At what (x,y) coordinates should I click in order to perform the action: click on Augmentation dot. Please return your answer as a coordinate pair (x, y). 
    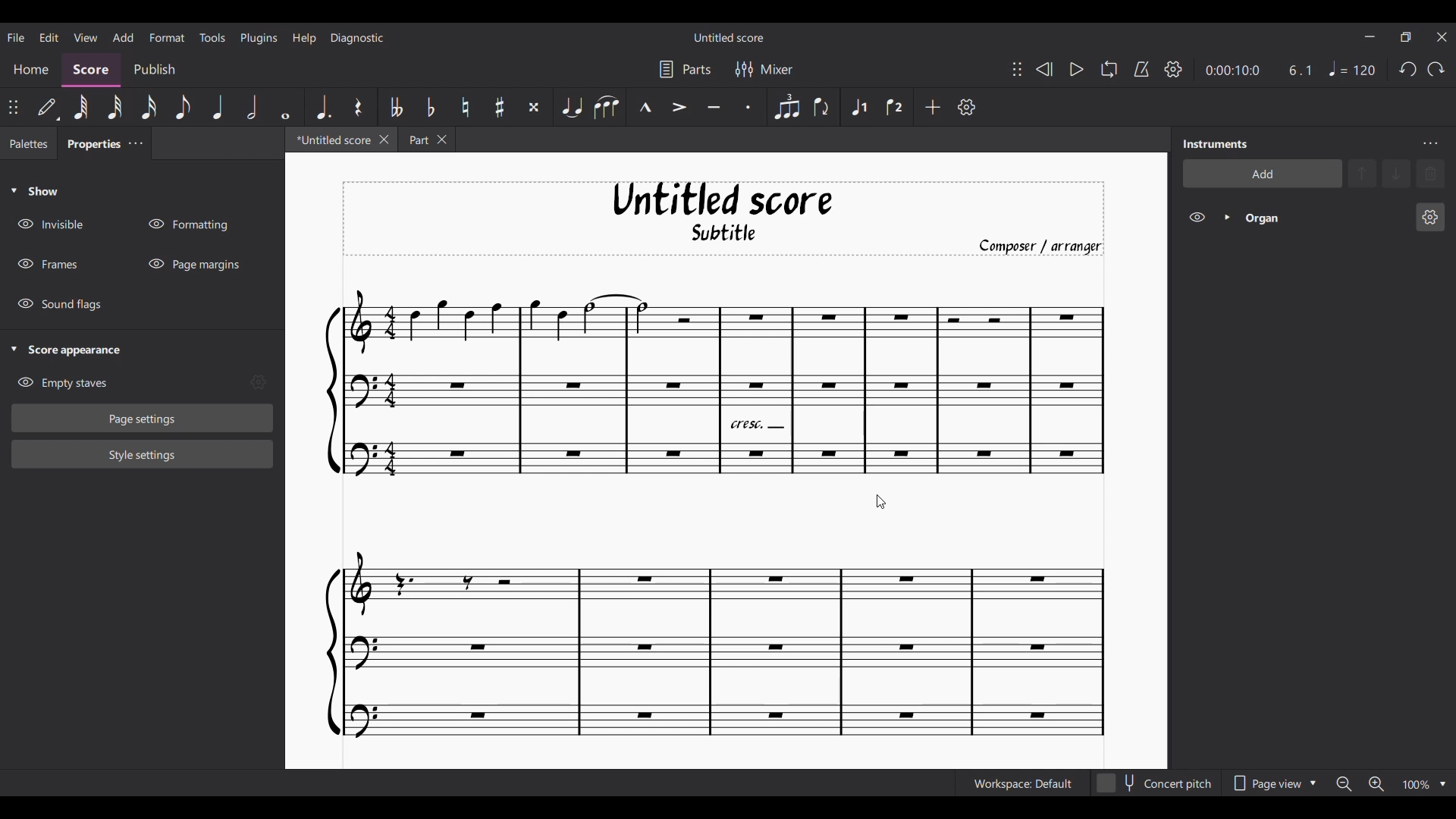
    Looking at the image, I should click on (322, 107).